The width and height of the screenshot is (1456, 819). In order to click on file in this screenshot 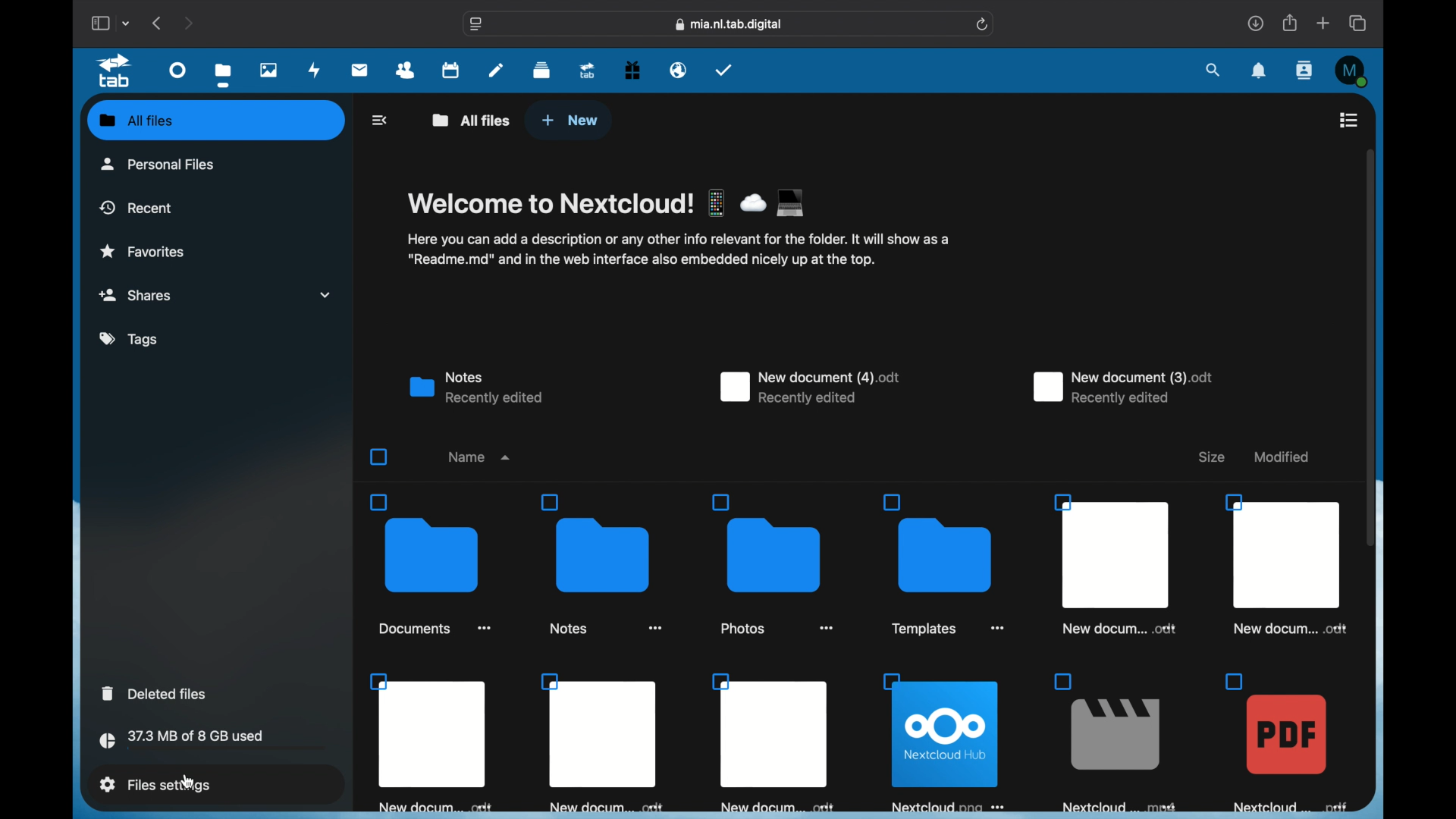, I will do `click(1113, 564)`.